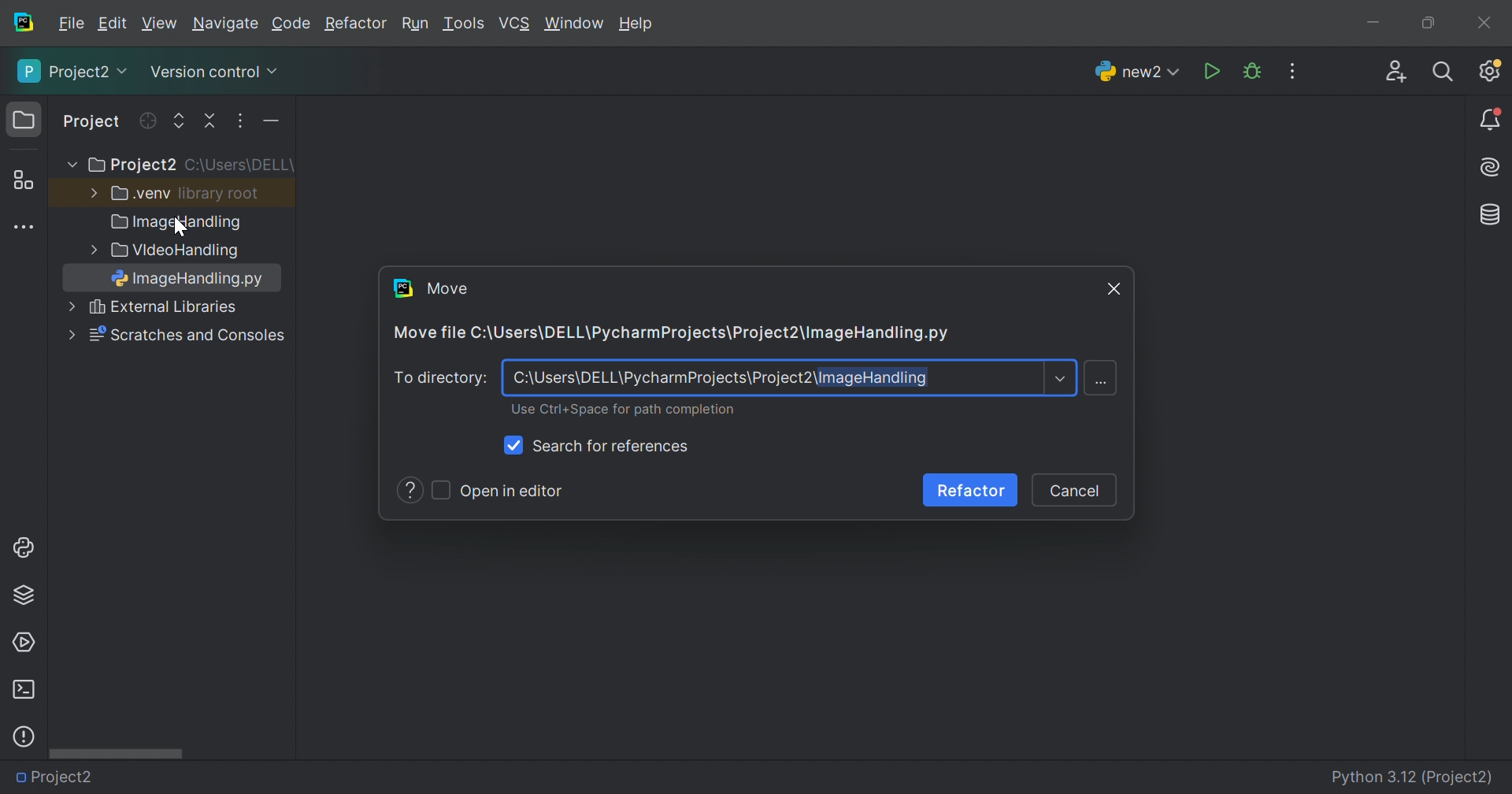 This screenshot has width=1512, height=794. What do you see at coordinates (516, 24) in the screenshot?
I see `VCS` at bounding box center [516, 24].